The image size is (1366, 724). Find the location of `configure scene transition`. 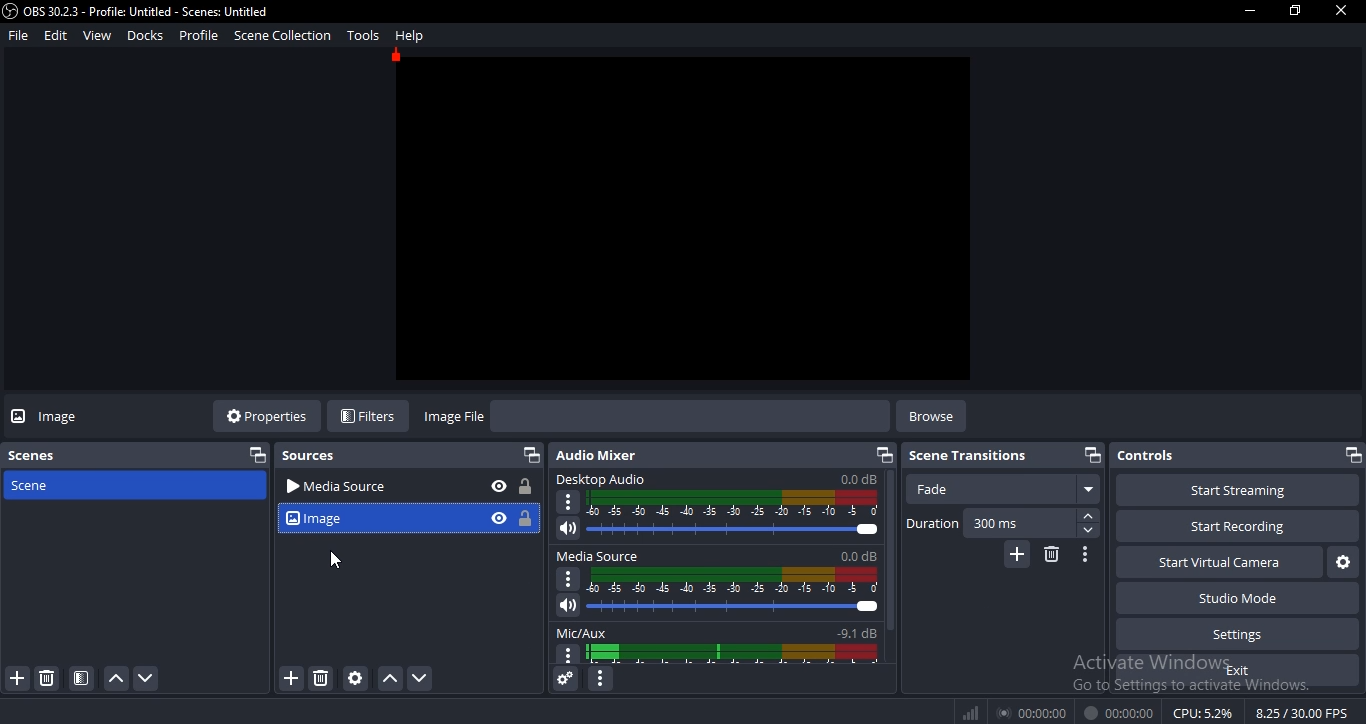

configure scene transition is located at coordinates (1083, 555).